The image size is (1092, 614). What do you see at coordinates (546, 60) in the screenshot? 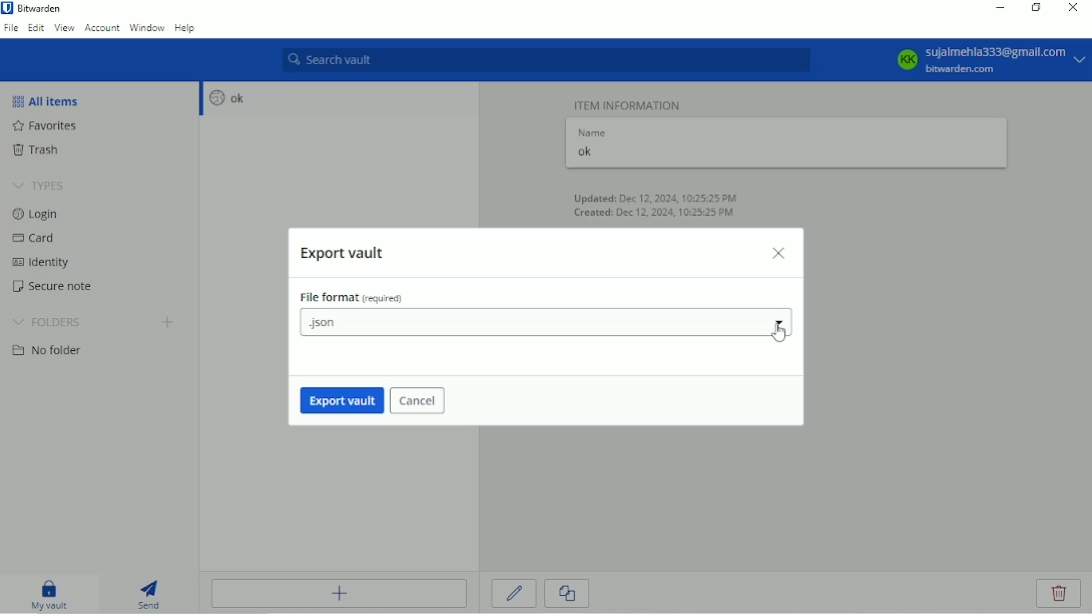
I see `Search vault` at bounding box center [546, 60].